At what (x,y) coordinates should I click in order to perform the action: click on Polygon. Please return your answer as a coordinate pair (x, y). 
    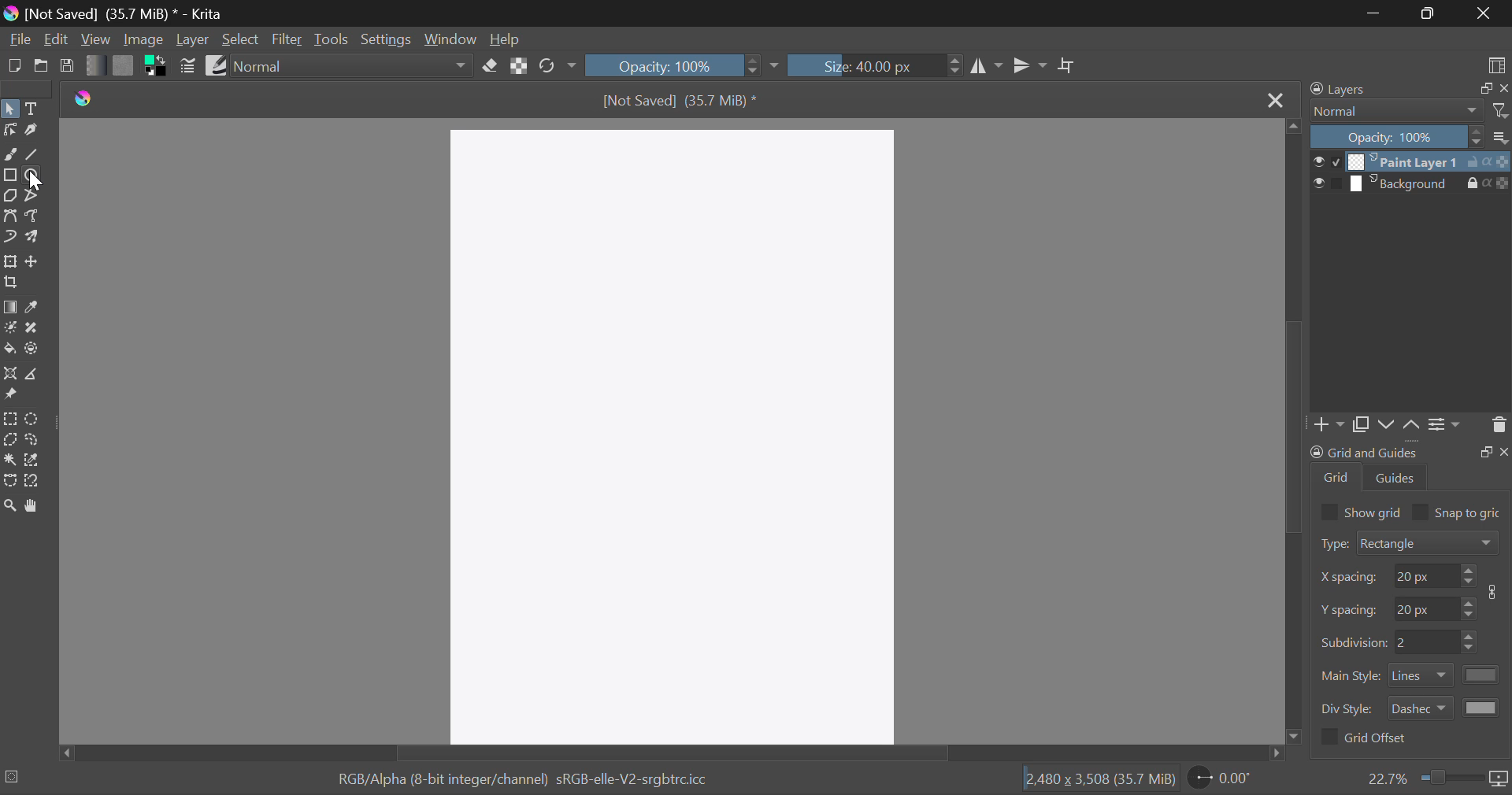
    Looking at the image, I should click on (9, 194).